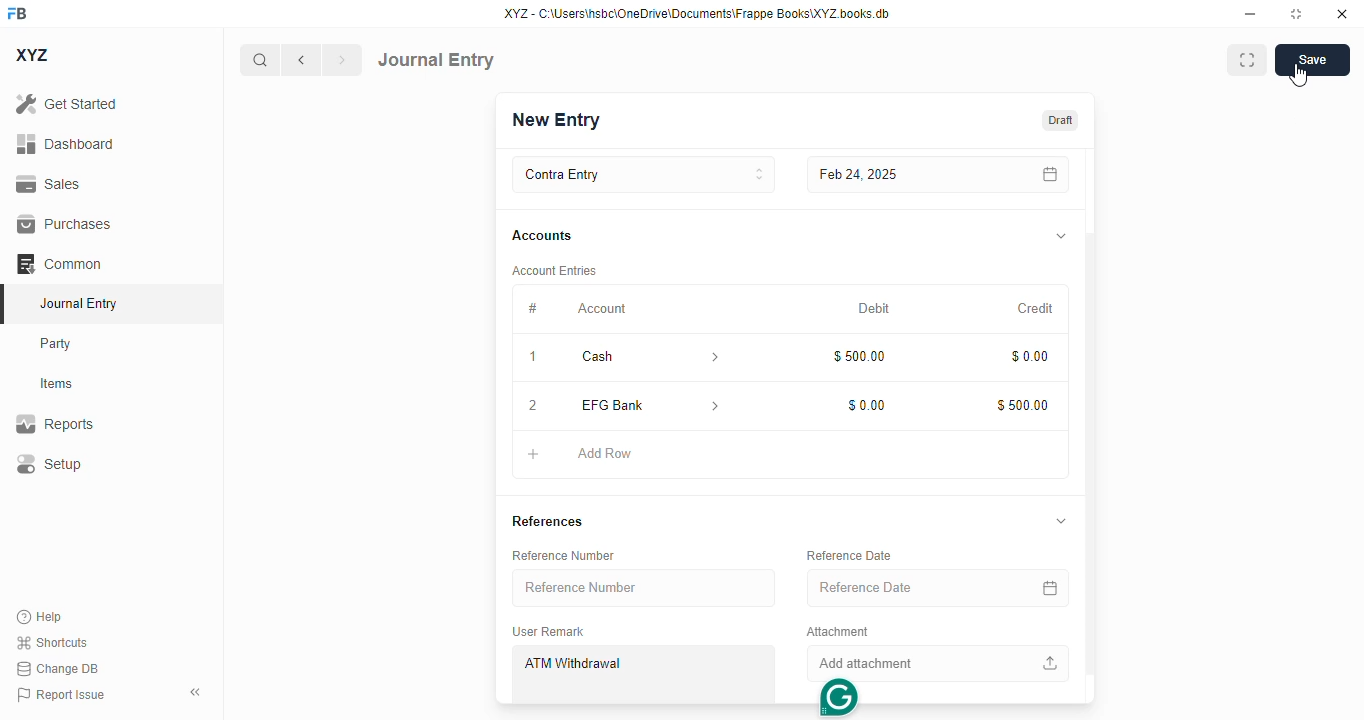 This screenshot has width=1364, height=720. Describe the element at coordinates (67, 104) in the screenshot. I see `get started` at that location.